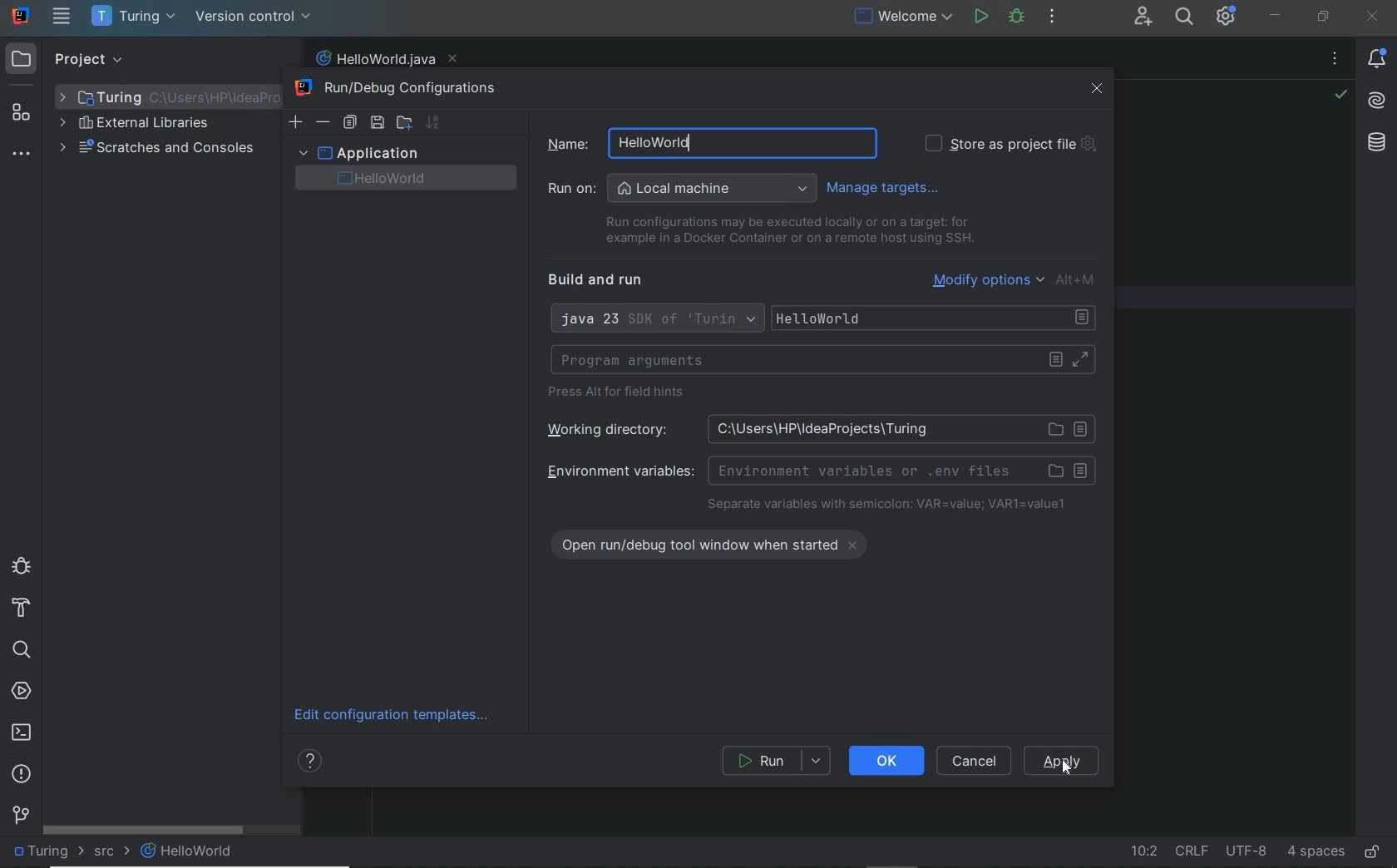  What do you see at coordinates (1335, 62) in the screenshot?
I see `recent files, tab actions` at bounding box center [1335, 62].